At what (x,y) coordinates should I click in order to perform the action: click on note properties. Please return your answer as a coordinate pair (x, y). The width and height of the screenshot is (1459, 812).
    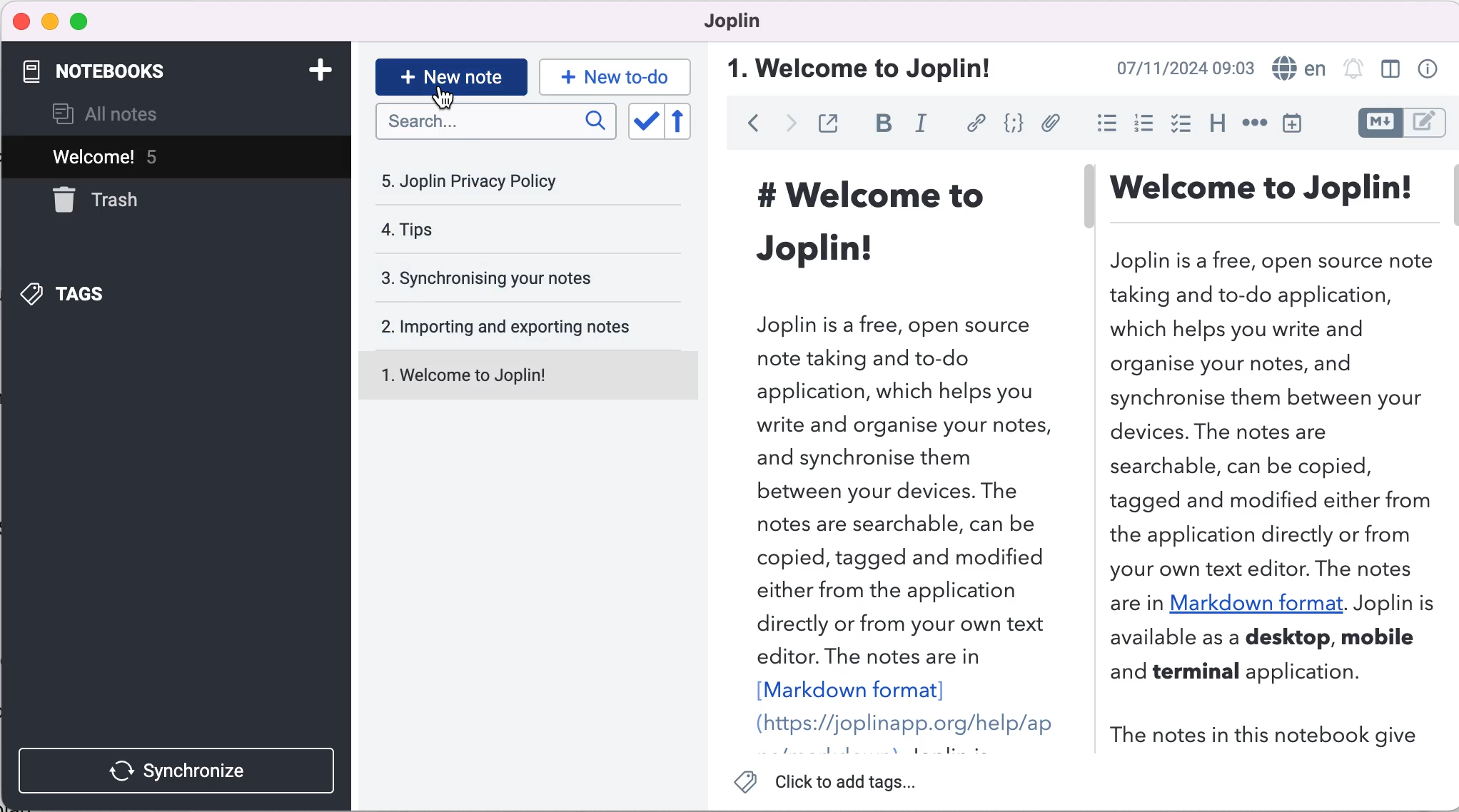
    Looking at the image, I should click on (1429, 71).